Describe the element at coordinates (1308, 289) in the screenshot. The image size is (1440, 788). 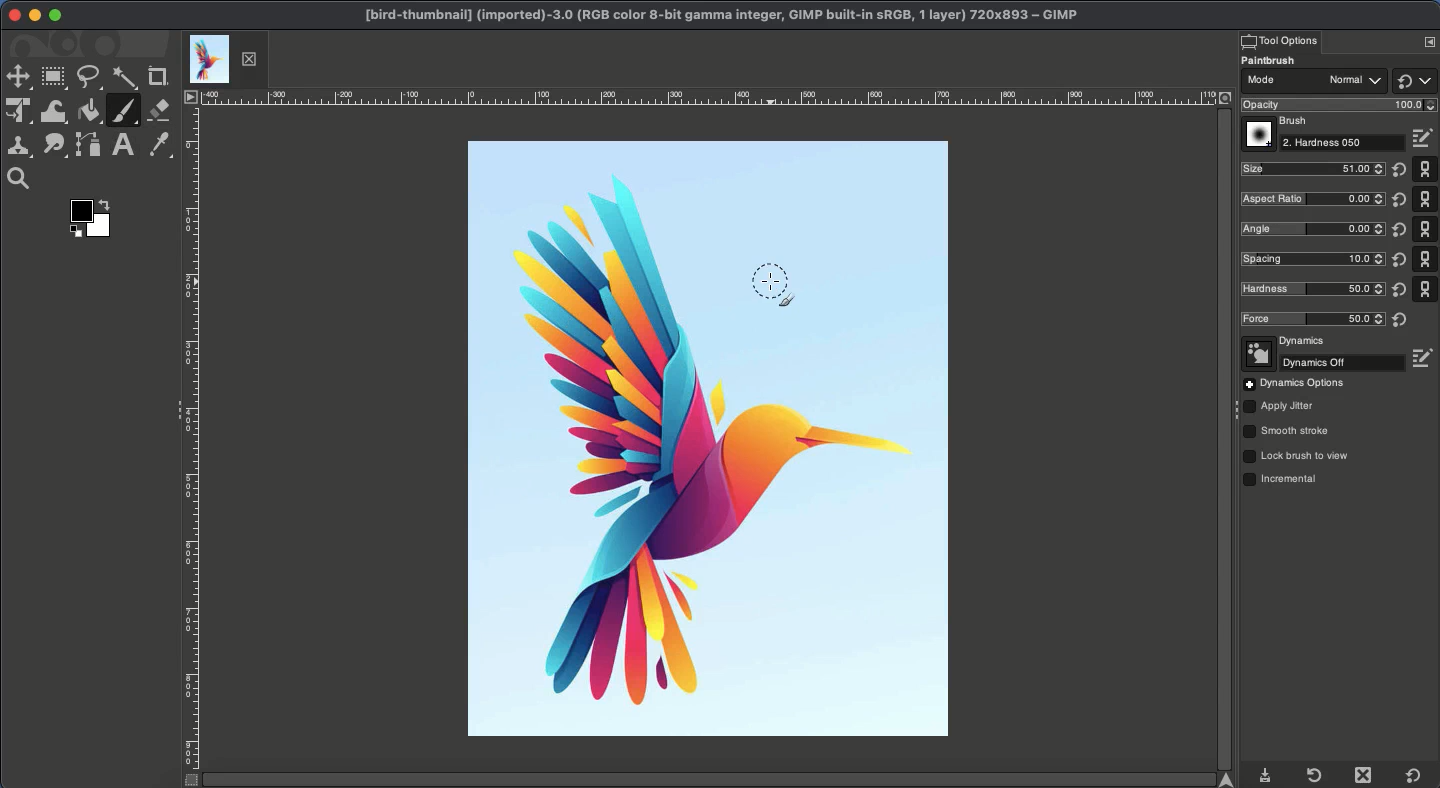
I see `Hardness` at that location.